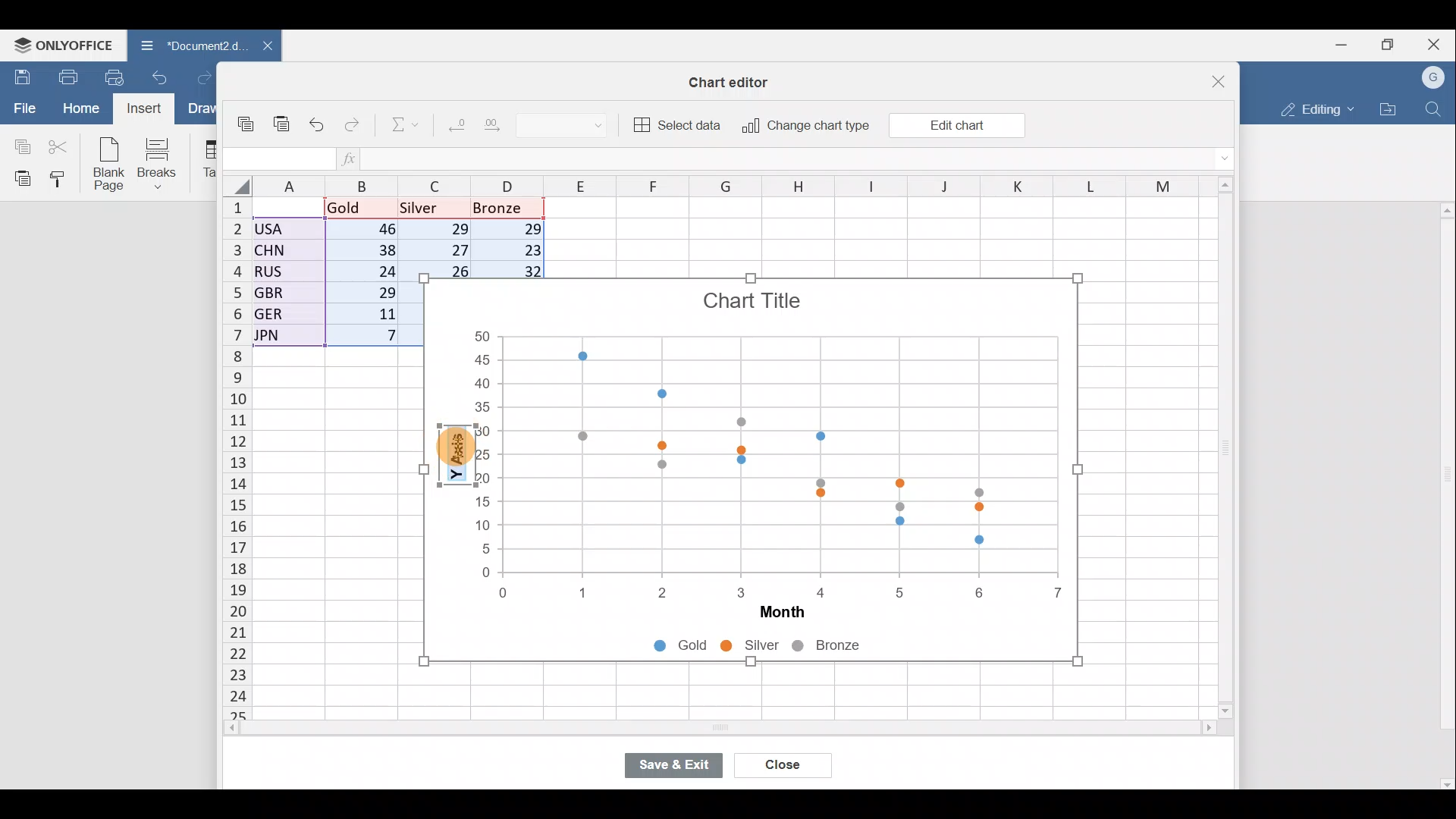  Describe the element at coordinates (356, 121) in the screenshot. I see `Redo` at that location.